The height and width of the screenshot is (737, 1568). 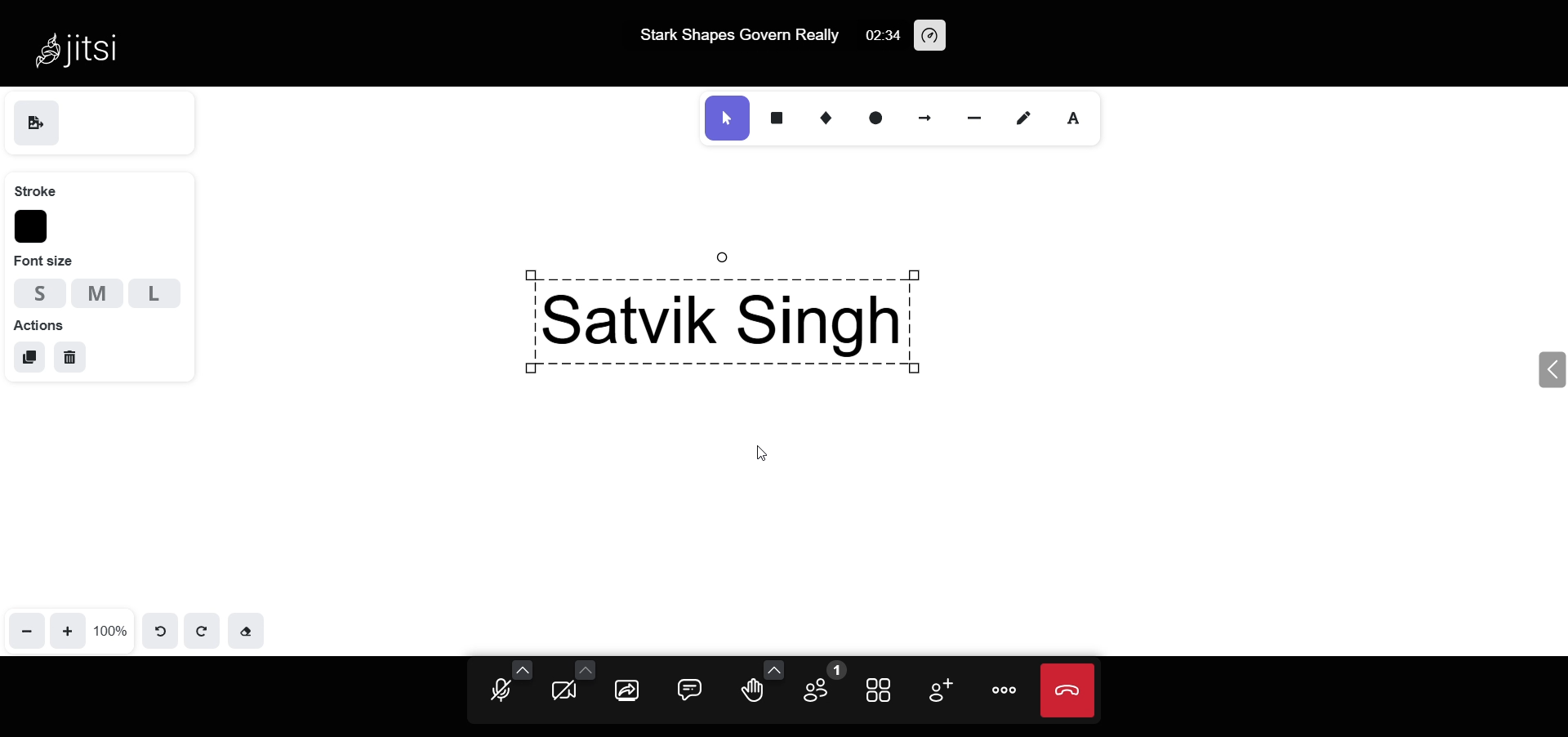 What do you see at coordinates (246, 629) in the screenshot?
I see `eraser` at bounding box center [246, 629].